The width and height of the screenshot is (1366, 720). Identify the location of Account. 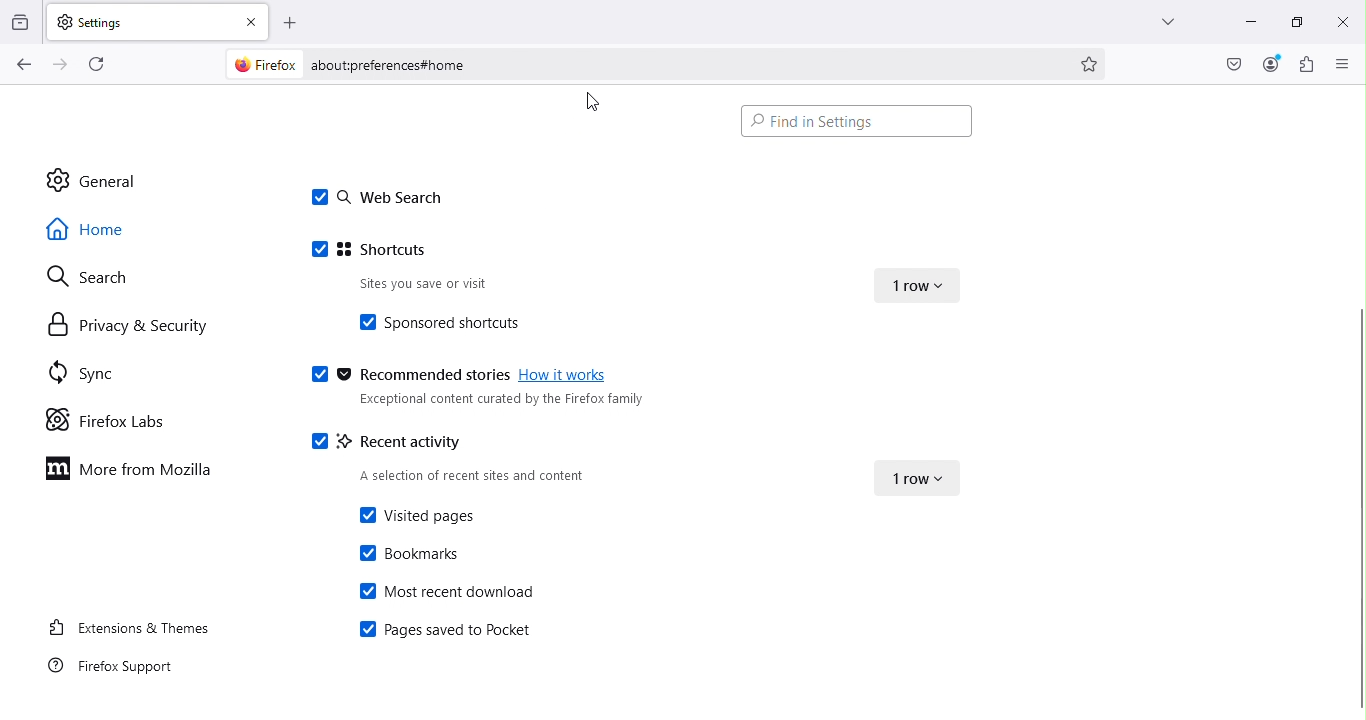
(1271, 64).